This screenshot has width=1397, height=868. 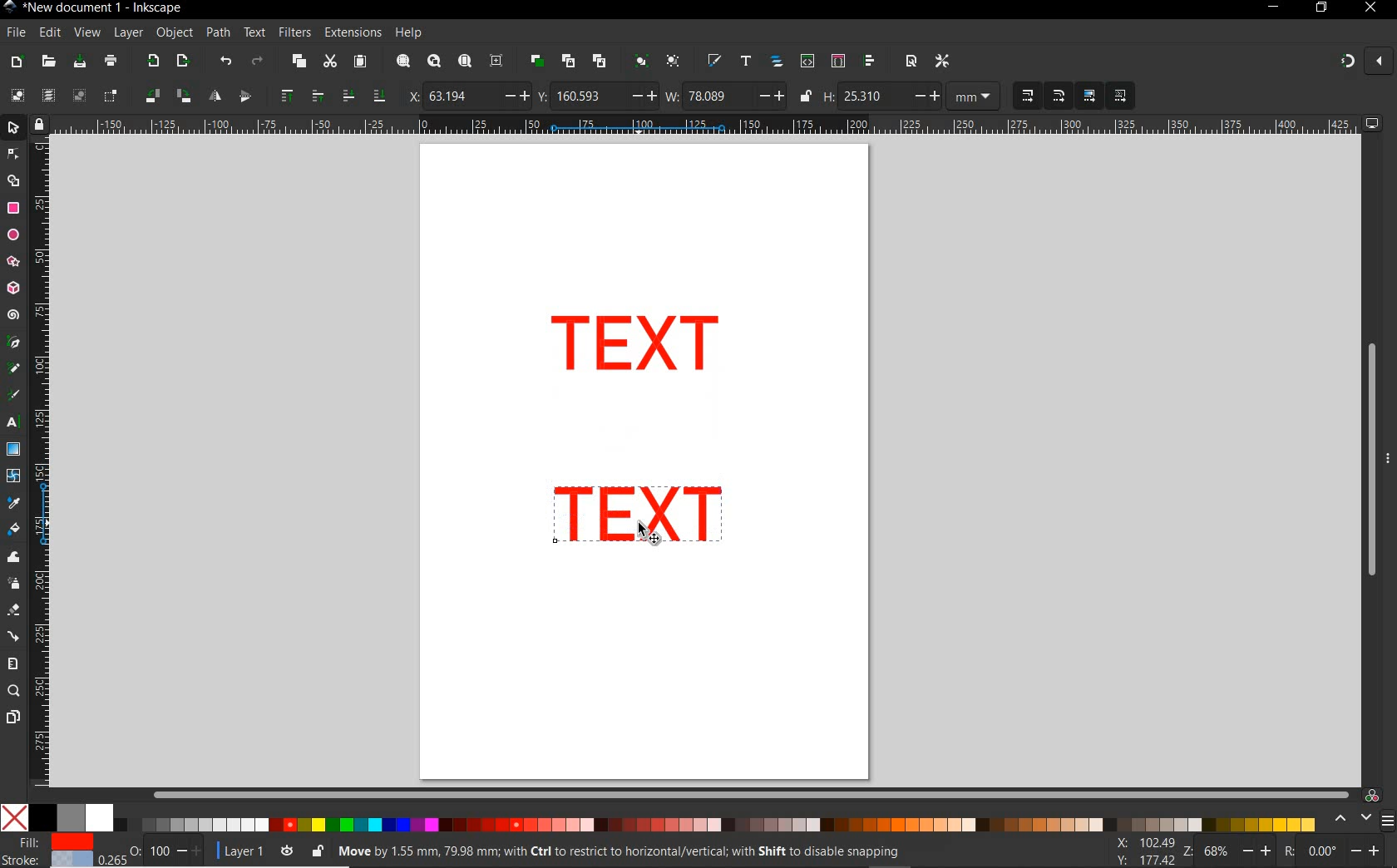 I want to click on tweak tool, so click(x=13, y=558).